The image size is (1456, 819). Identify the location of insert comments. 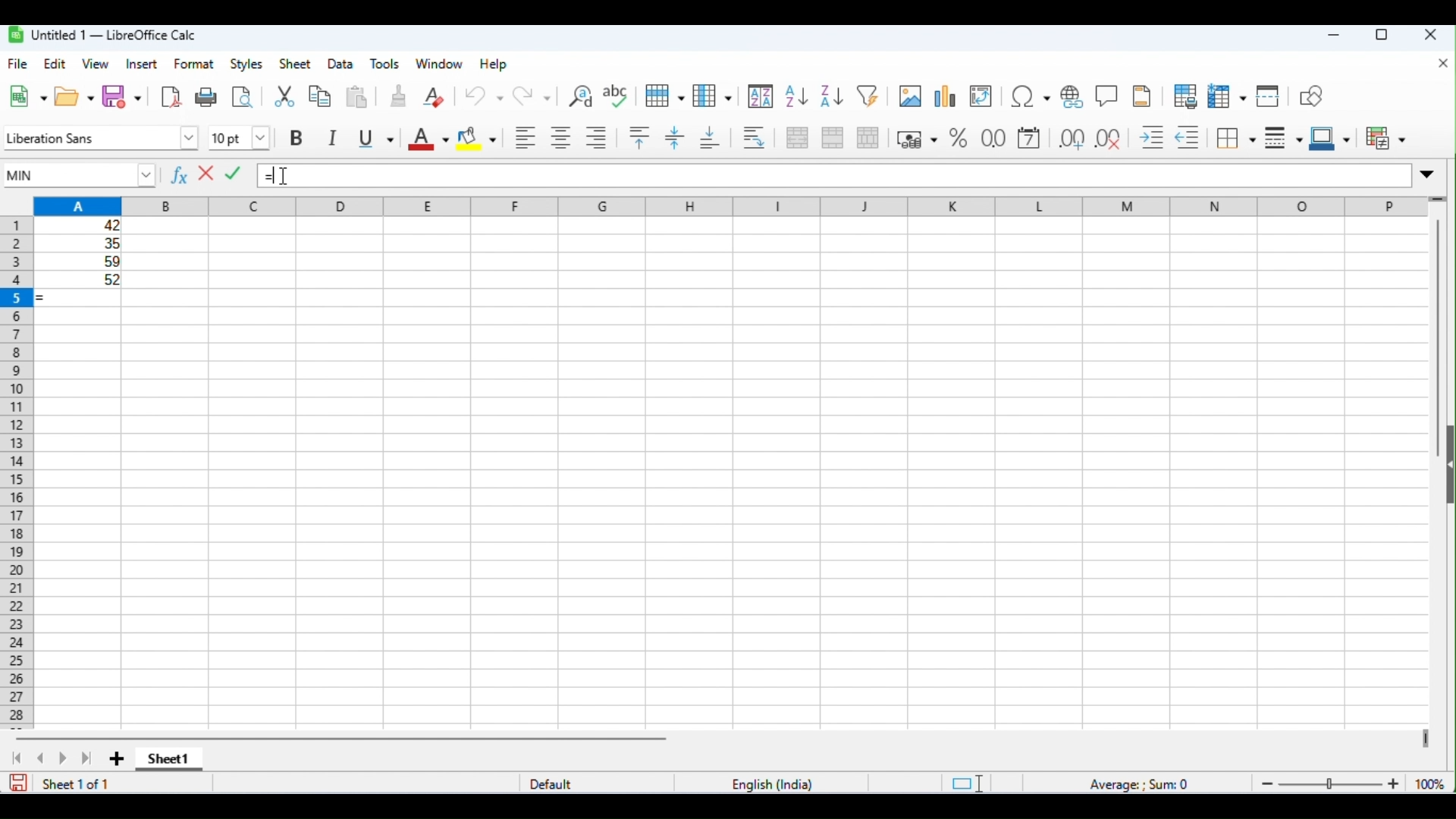
(1106, 96).